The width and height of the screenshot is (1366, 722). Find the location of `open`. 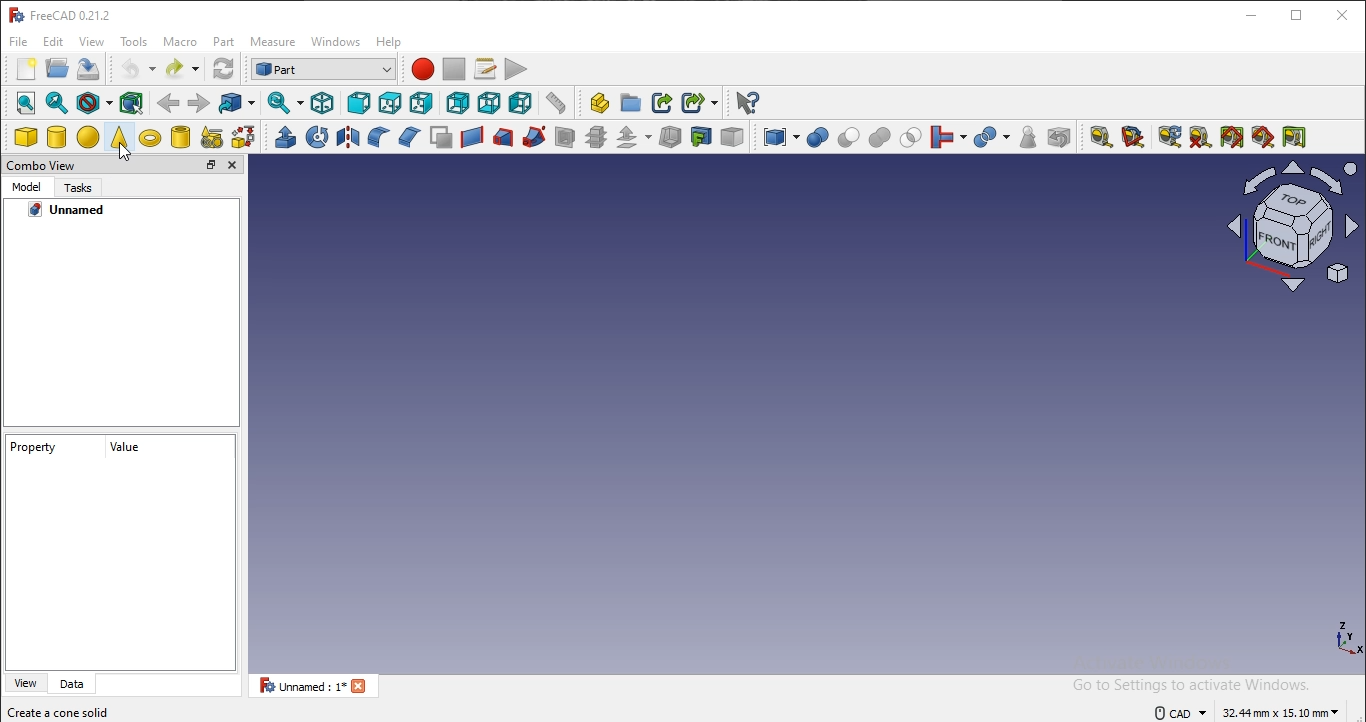

open is located at coordinates (56, 69).